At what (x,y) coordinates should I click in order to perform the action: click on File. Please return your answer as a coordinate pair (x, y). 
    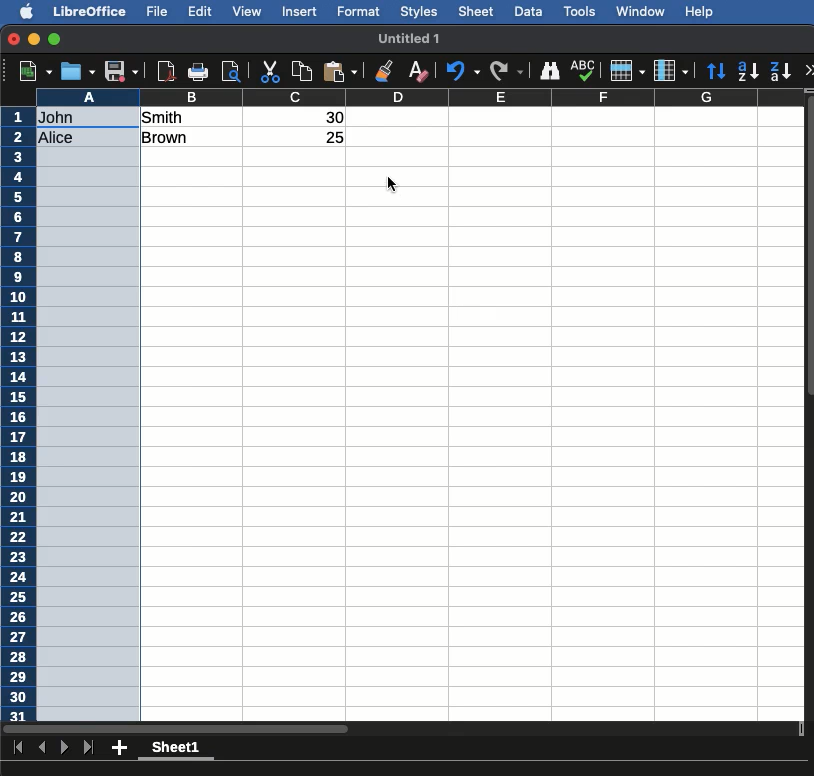
    Looking at the image, I should click on (158, 12).